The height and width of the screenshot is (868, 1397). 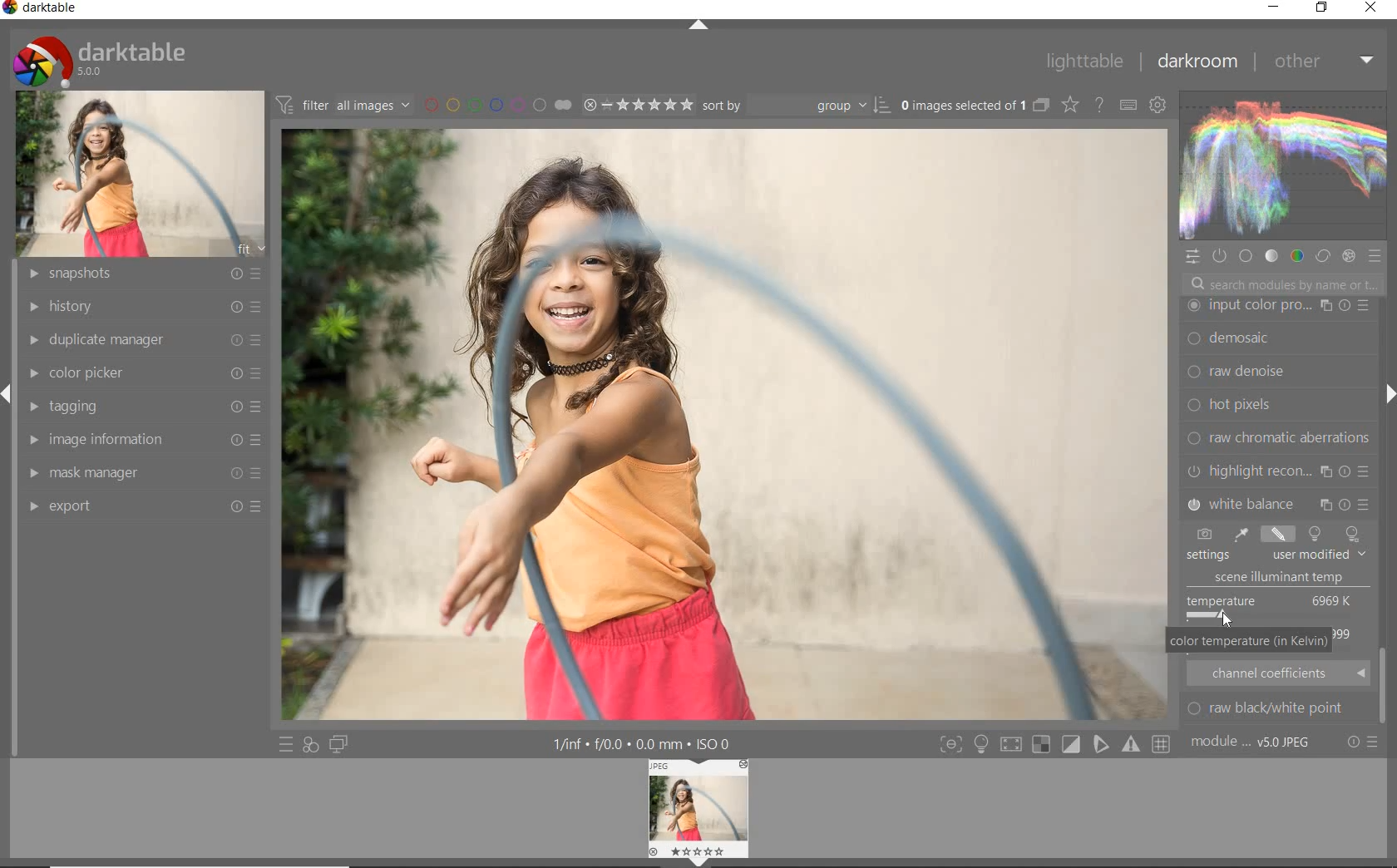 I want to click on other, so click(x=1324, y=61).